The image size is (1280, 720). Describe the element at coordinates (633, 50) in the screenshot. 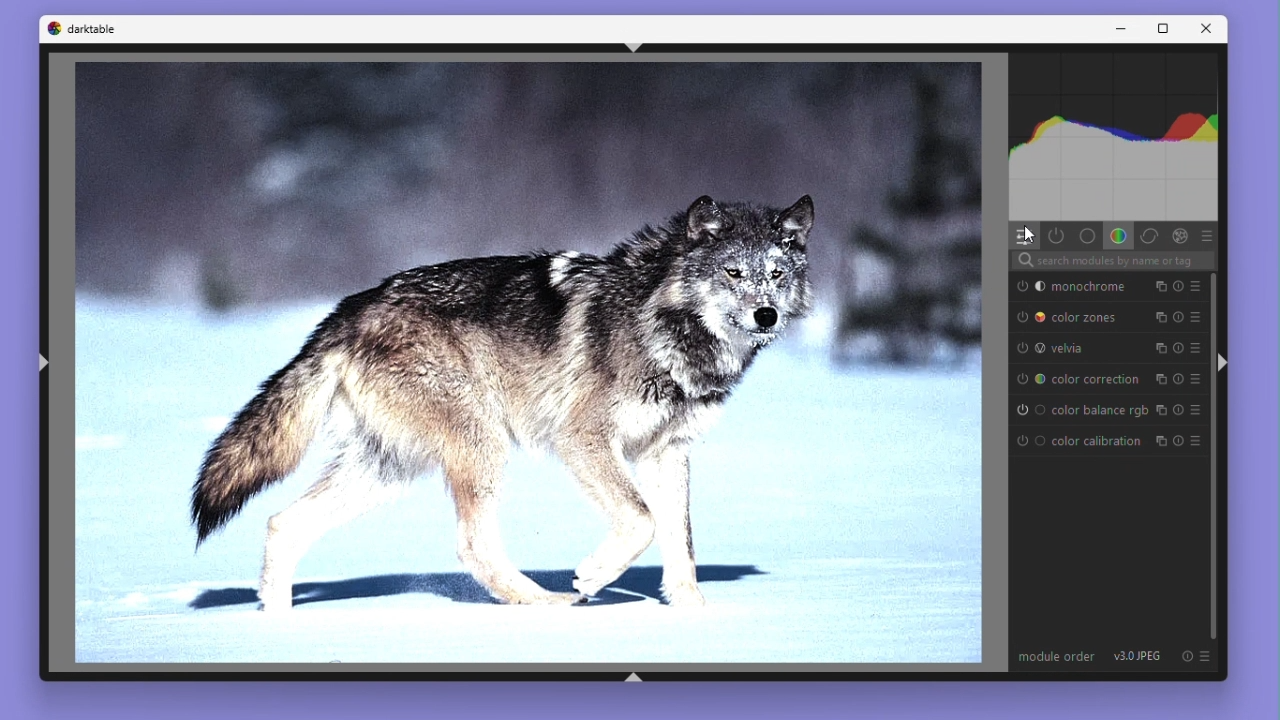

I see `shift+ctrl+t` at that location.